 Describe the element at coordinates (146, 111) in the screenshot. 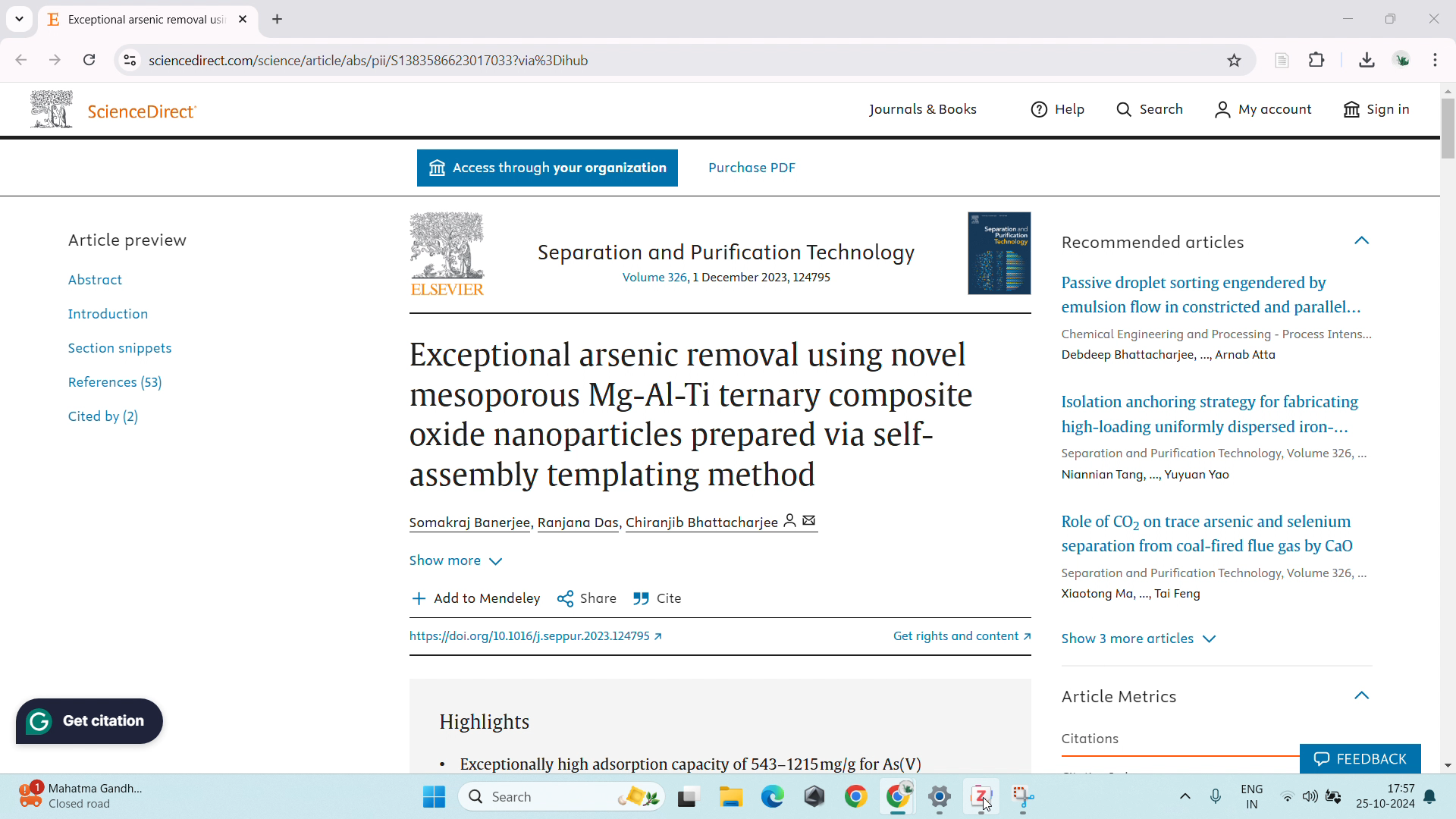

I see `ScienceDirect` at that location.